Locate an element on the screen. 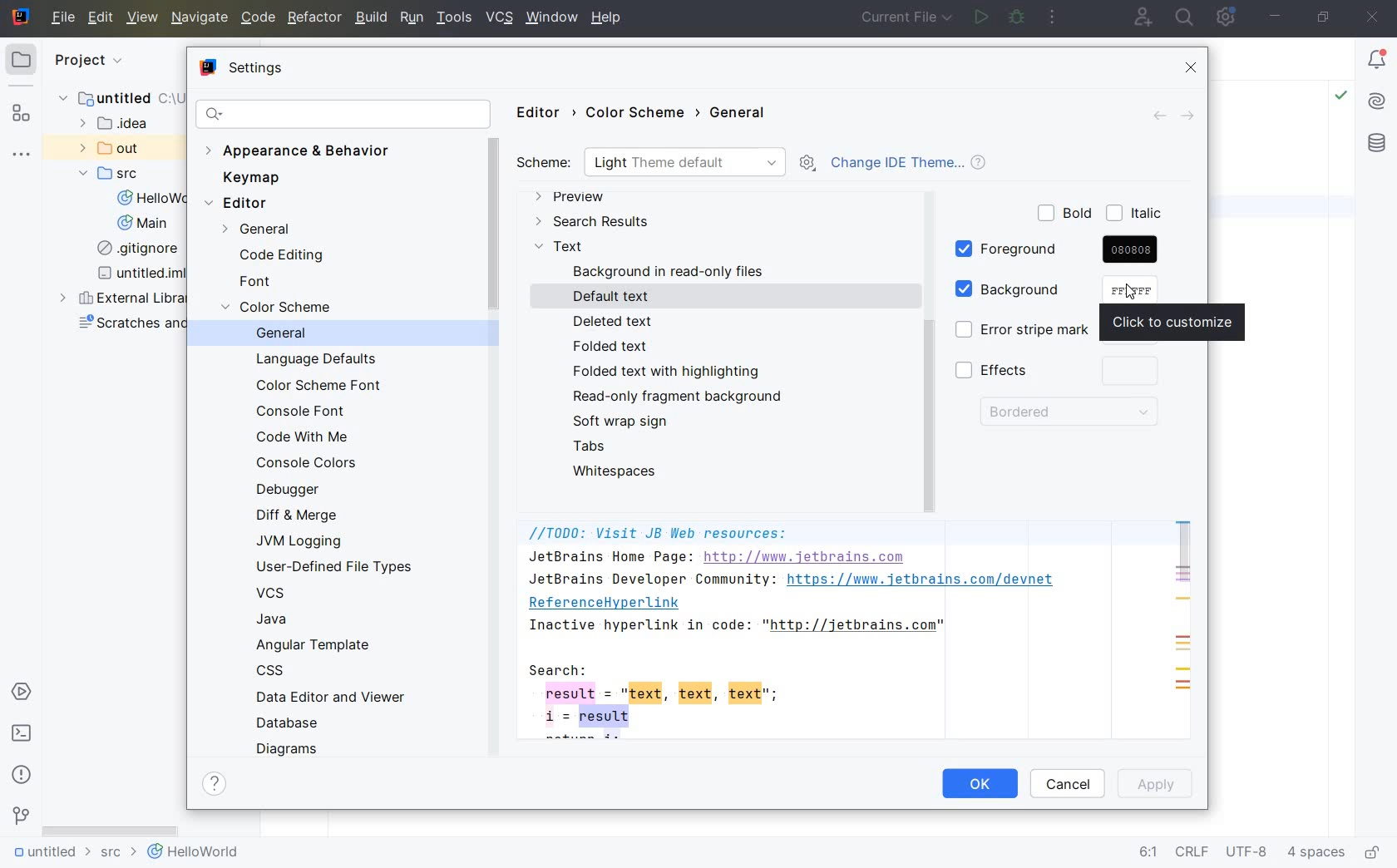 The width and height of the screenshot is (1397, 868). close is located at coordinates (1373, 18).